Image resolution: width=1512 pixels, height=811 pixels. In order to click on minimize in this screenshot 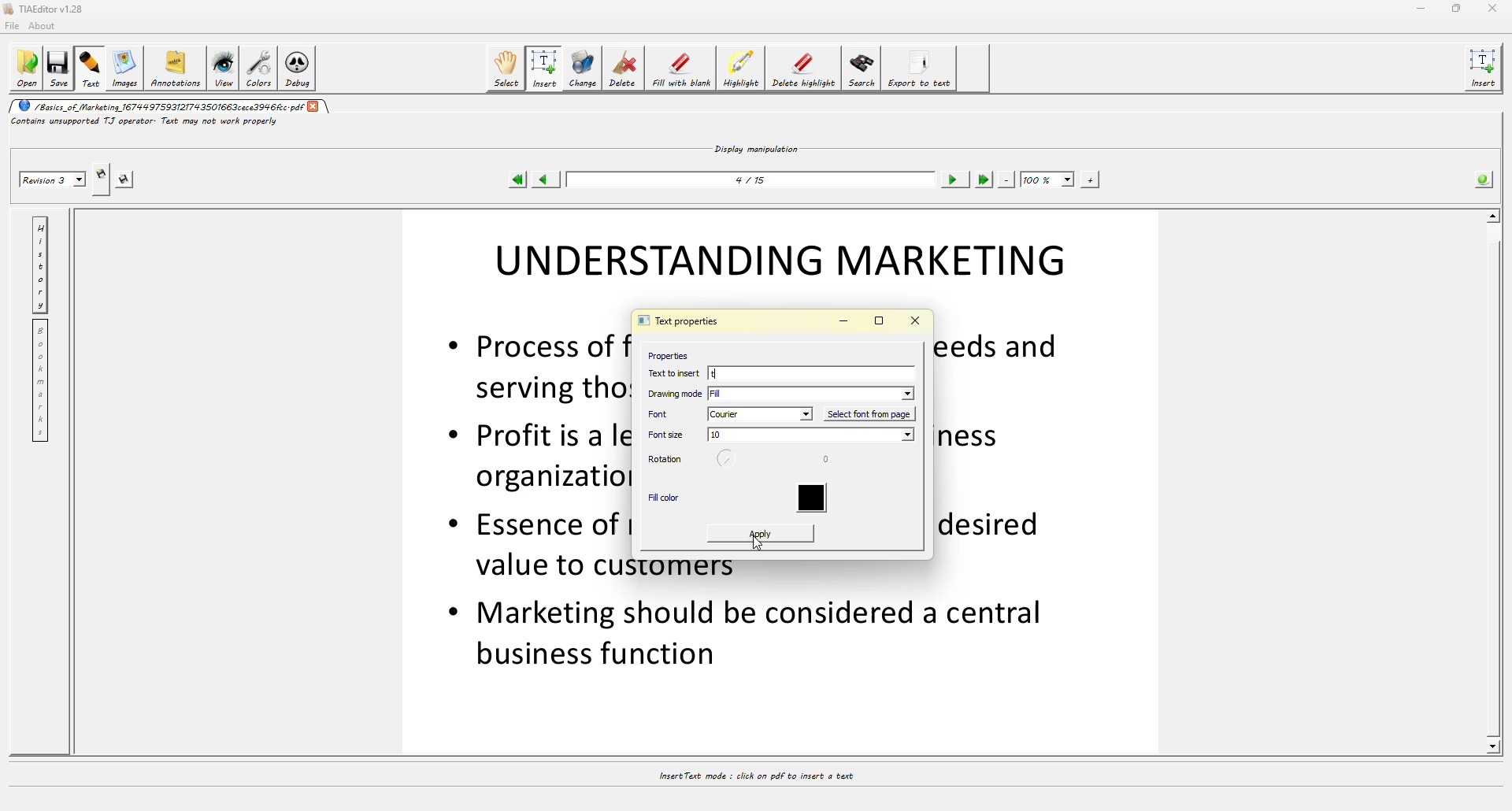, I will do `click(843, 322)`.